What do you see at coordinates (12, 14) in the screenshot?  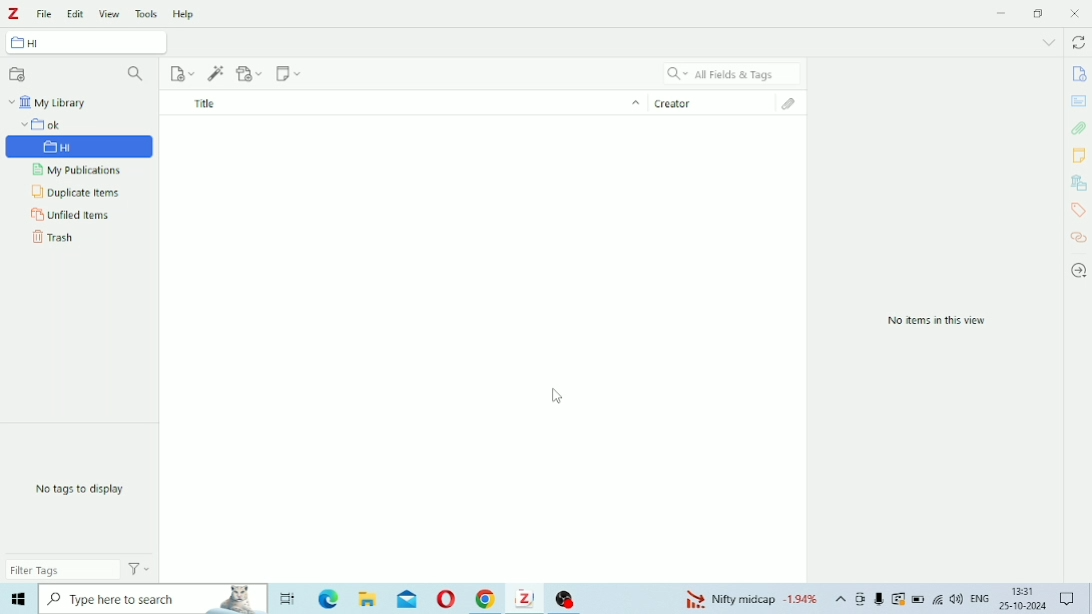 I see `Logo` at bounding box center [12, 14].